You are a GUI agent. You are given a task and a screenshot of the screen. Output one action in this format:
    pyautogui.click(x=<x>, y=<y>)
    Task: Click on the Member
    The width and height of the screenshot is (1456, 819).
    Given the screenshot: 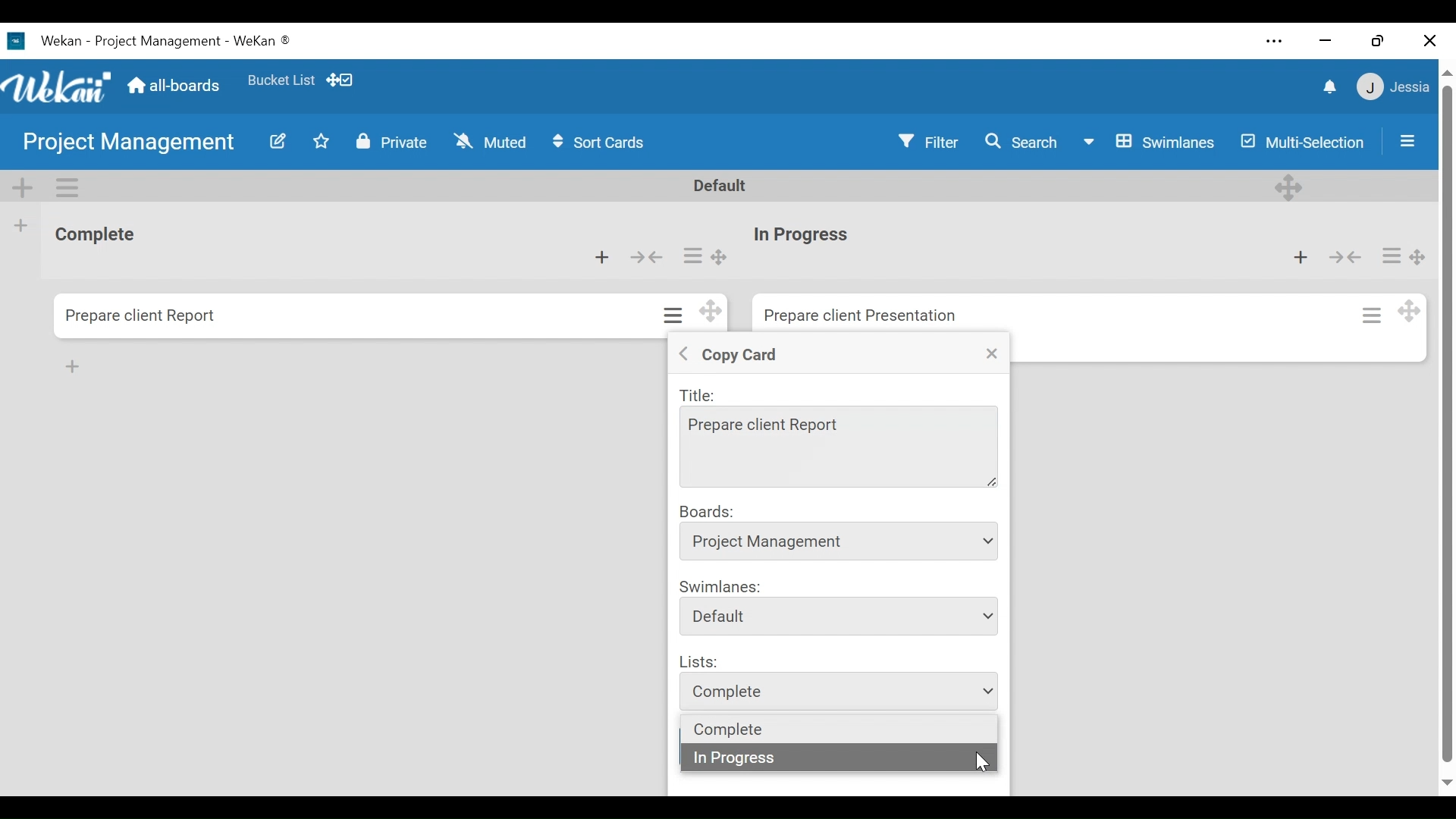 What is the action you would take?
    pyautogui.click(x=1402, y=86)
    